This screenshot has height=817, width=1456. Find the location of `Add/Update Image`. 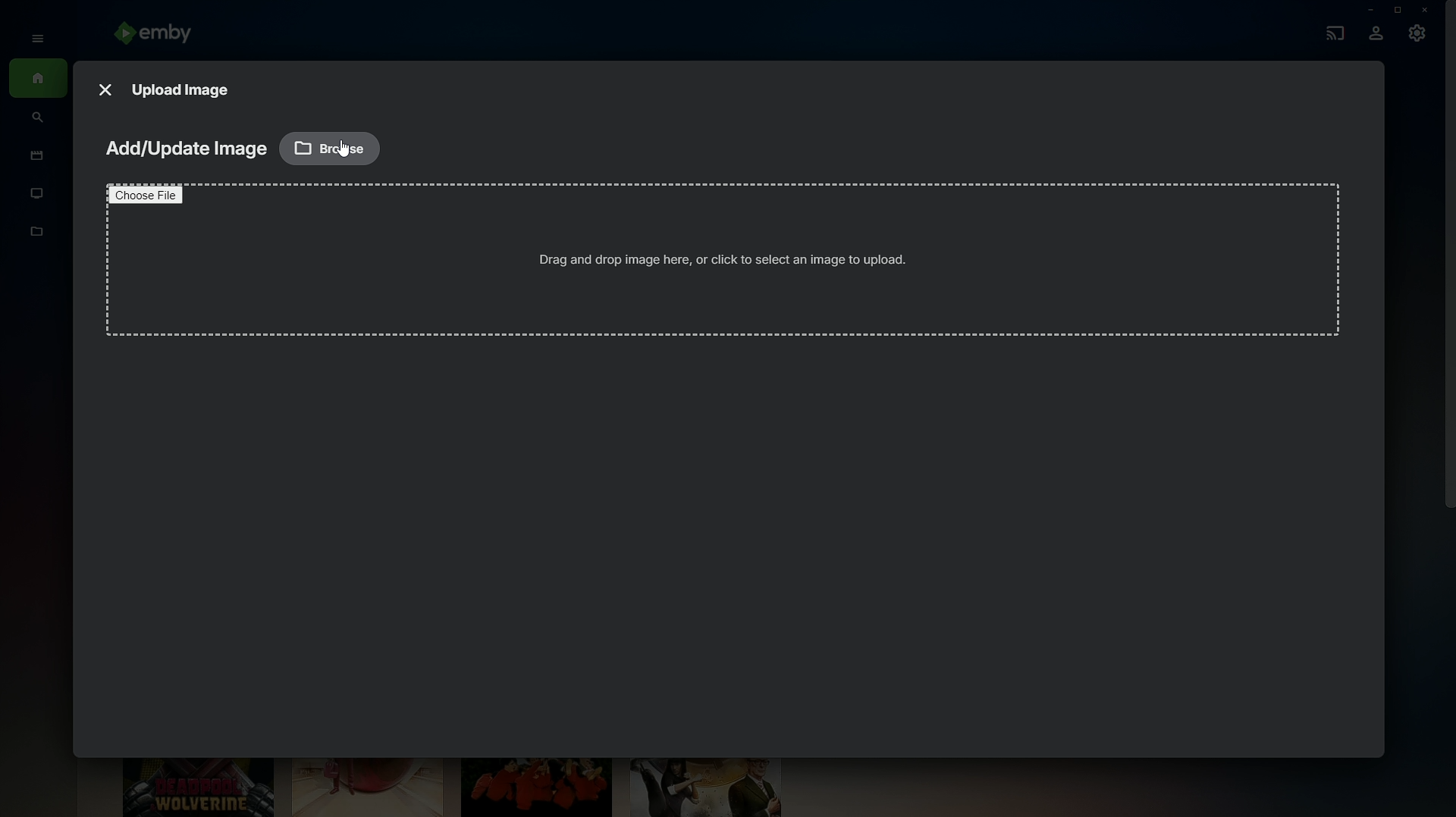

Add/Update Image is located at coordinates (184, 150).